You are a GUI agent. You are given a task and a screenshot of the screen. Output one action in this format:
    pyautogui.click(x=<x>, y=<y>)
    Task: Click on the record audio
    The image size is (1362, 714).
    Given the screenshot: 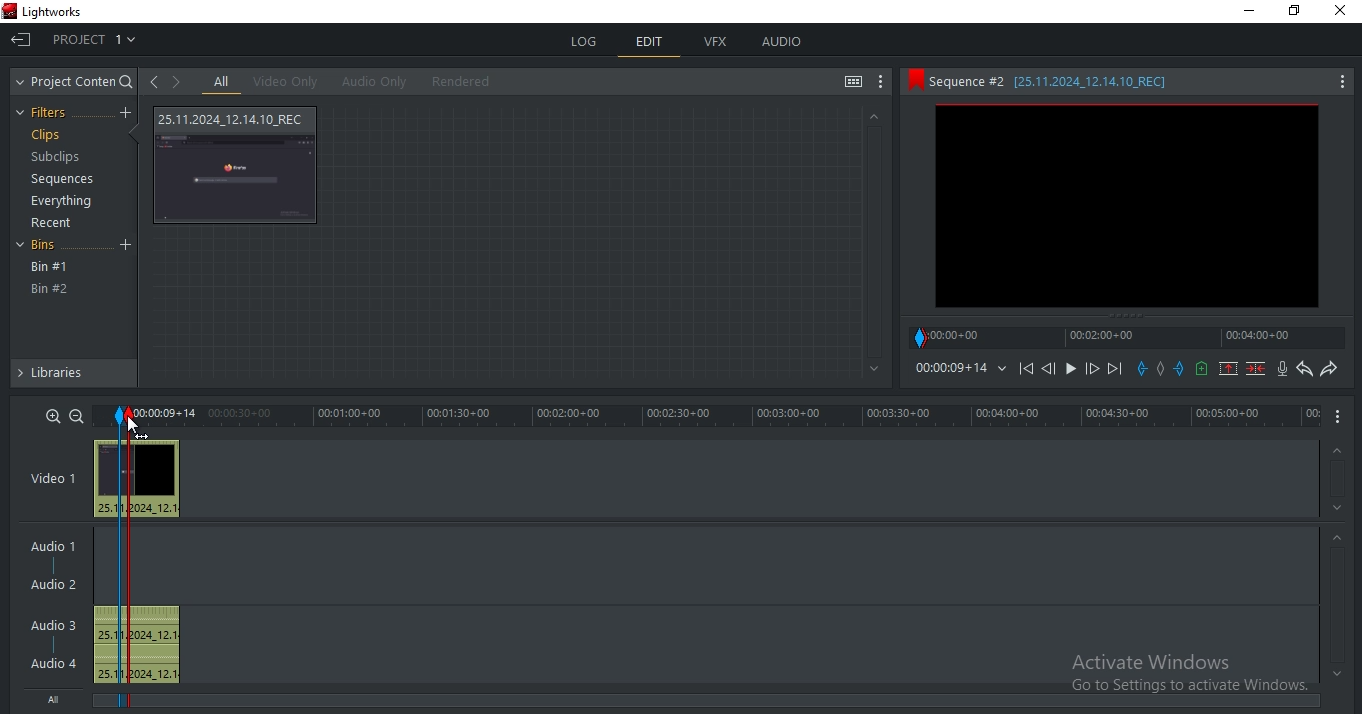 What is the action you would take?
    pyautogui.click(x=1282, y=369)
    